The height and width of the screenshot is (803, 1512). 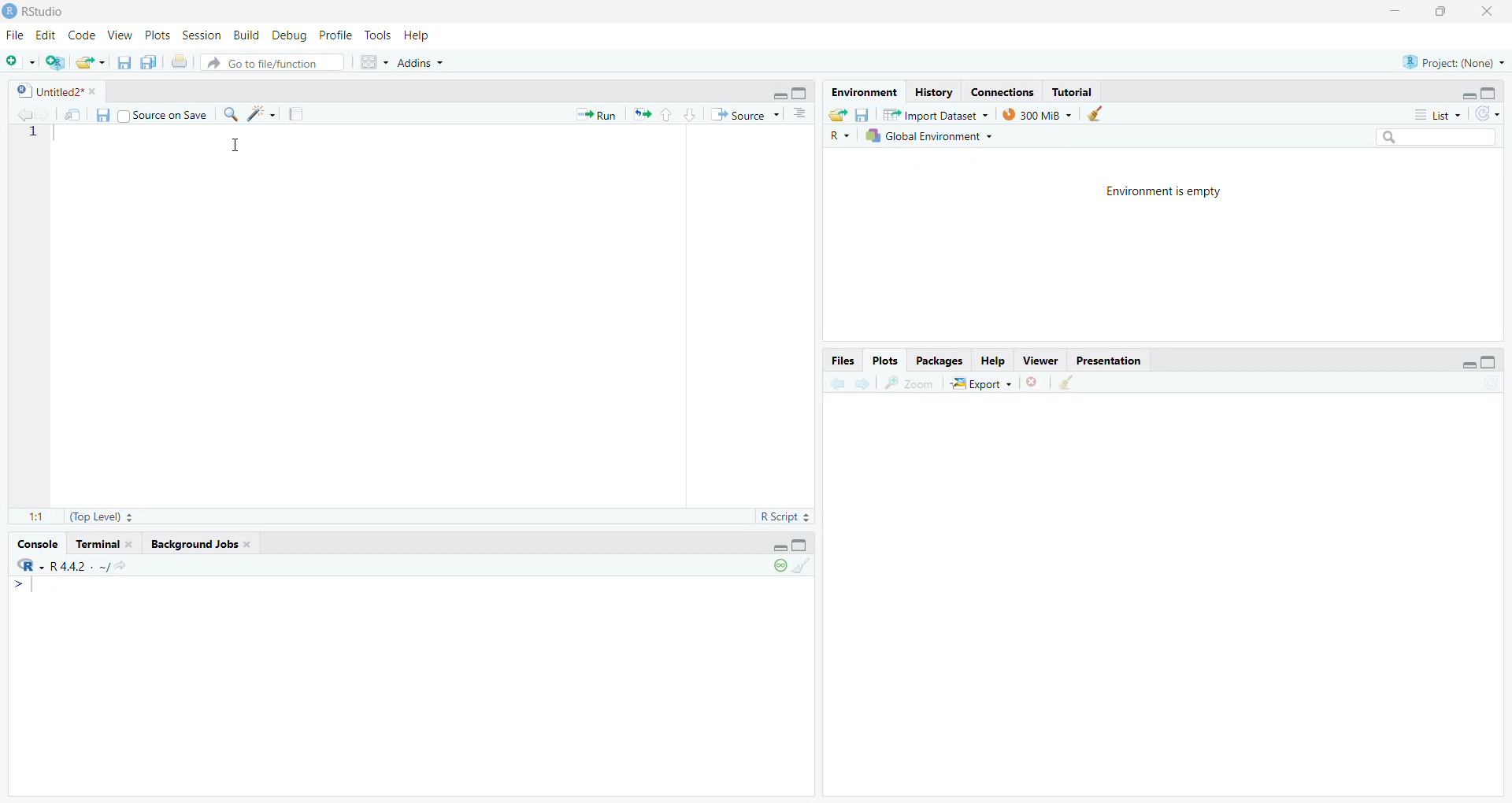 I want to click on Tools, so click(x=377, y=36).